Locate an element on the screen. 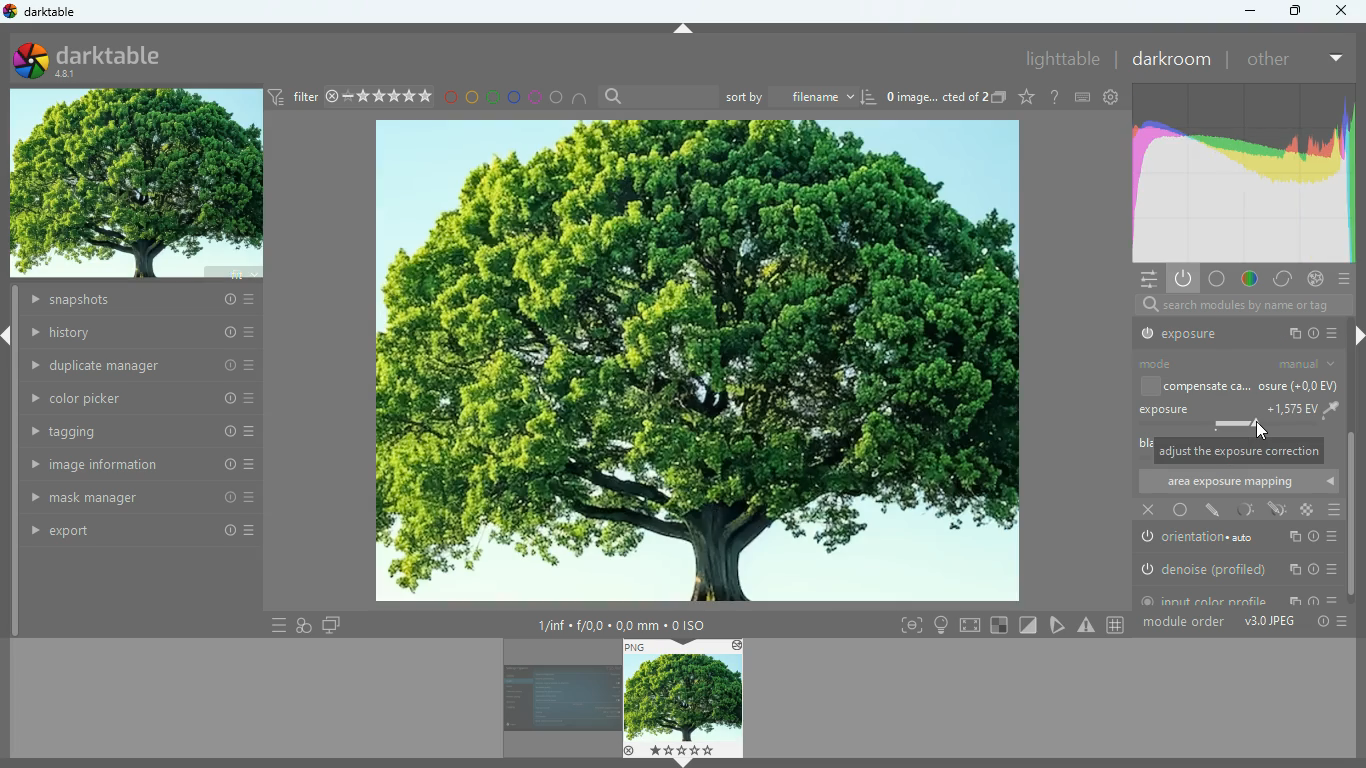 The width and height of the screenshot is (1366, 768). orientation is located at coordinates (1240, 538).